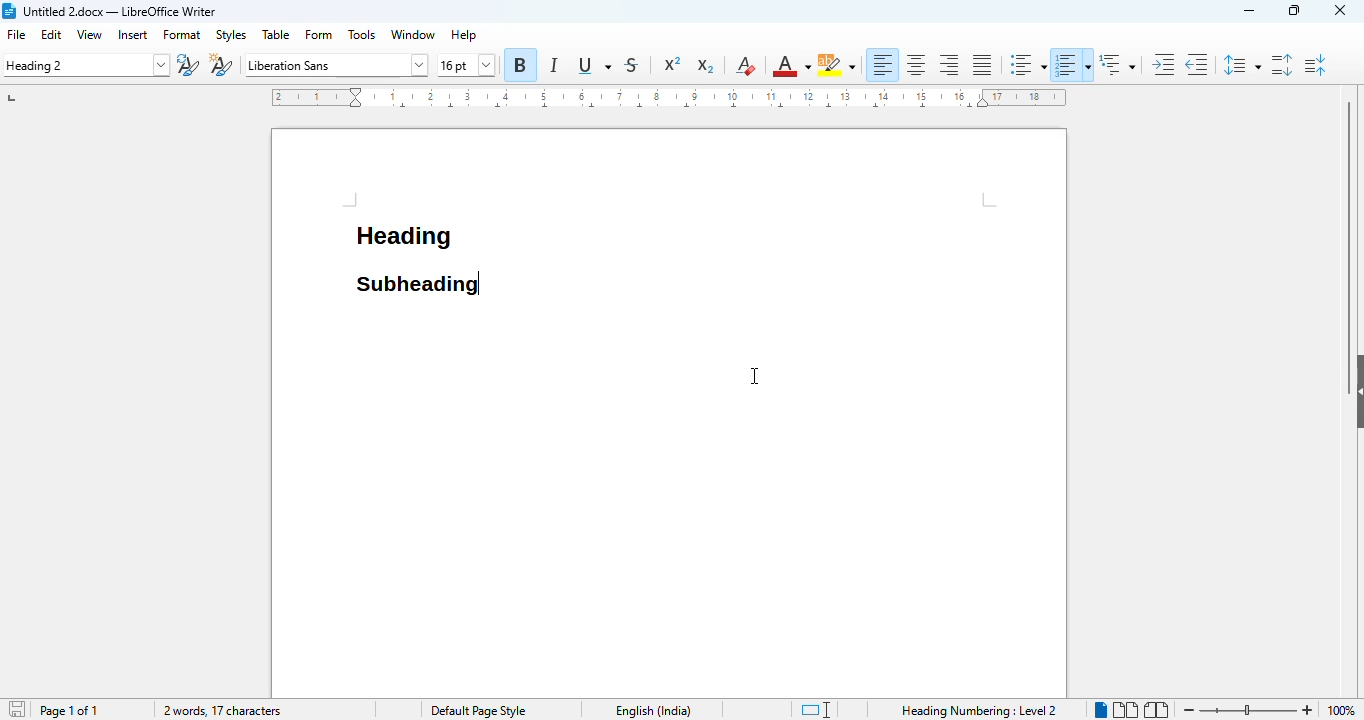  I want to click on show, so click(1355, 387).